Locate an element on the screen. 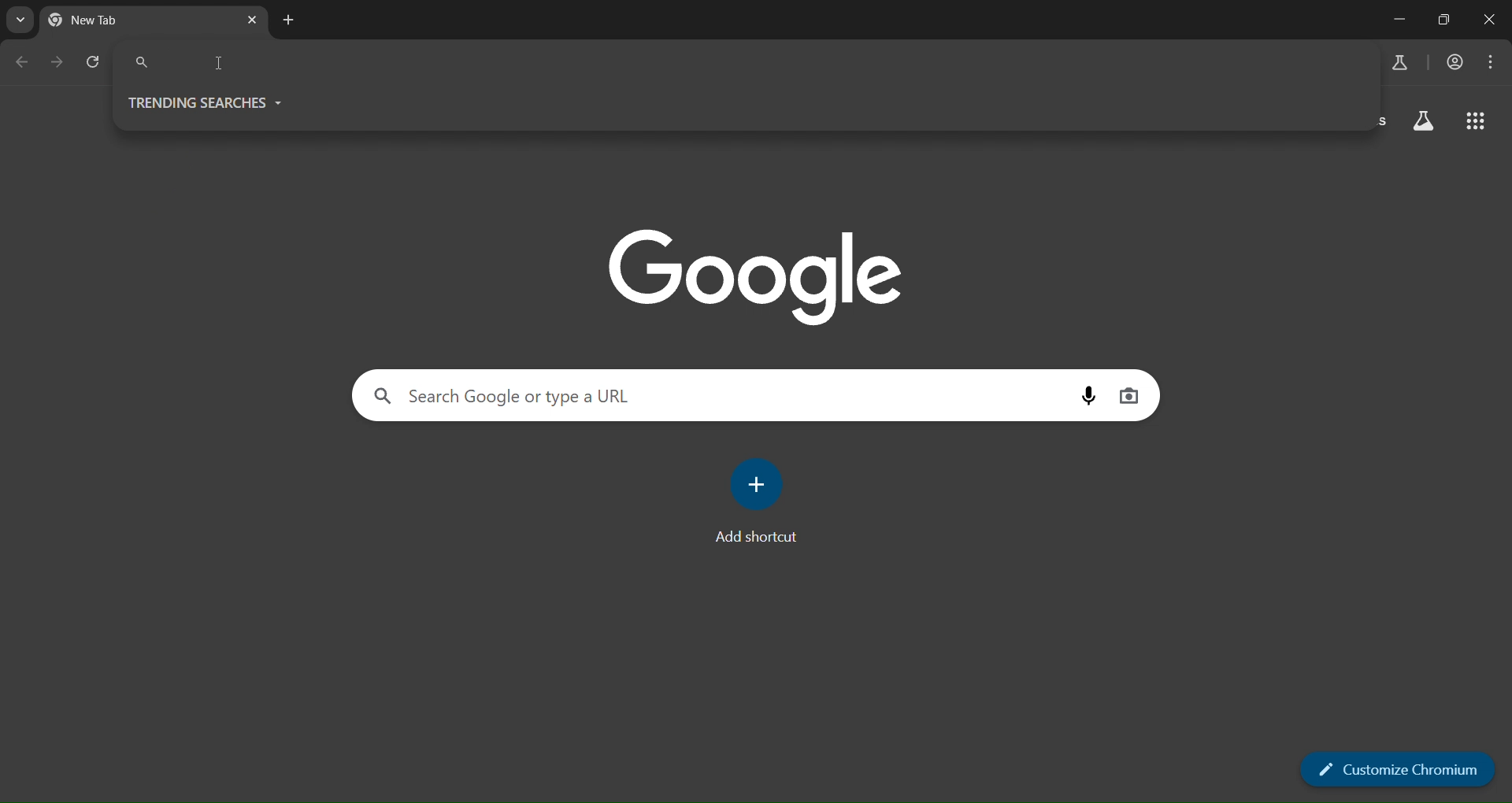  menu is located at coordinates (1489, 61).